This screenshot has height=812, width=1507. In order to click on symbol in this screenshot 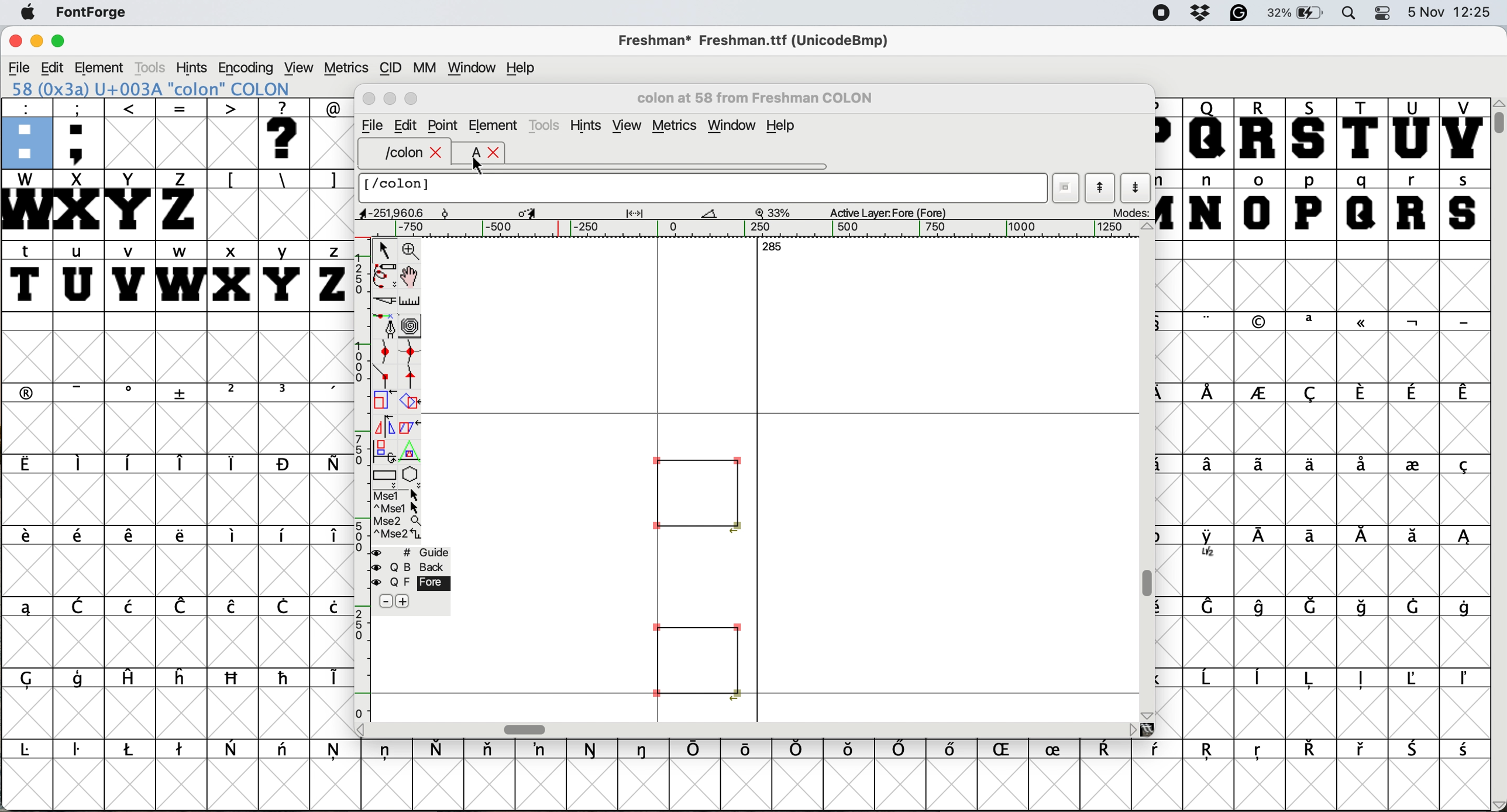, I will do `click(1307, 464)`.